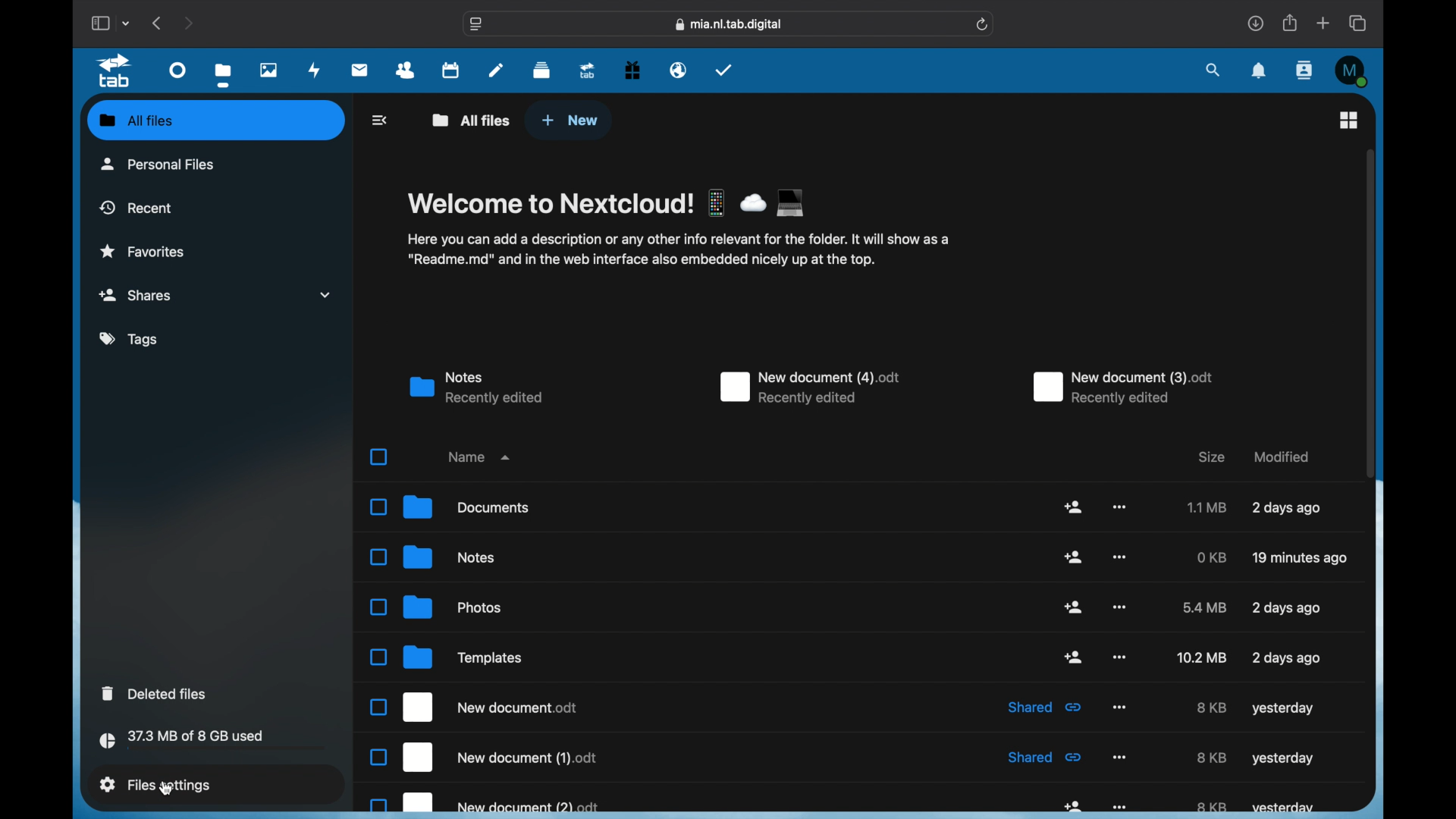  I want to click on back, so click(381, 120).